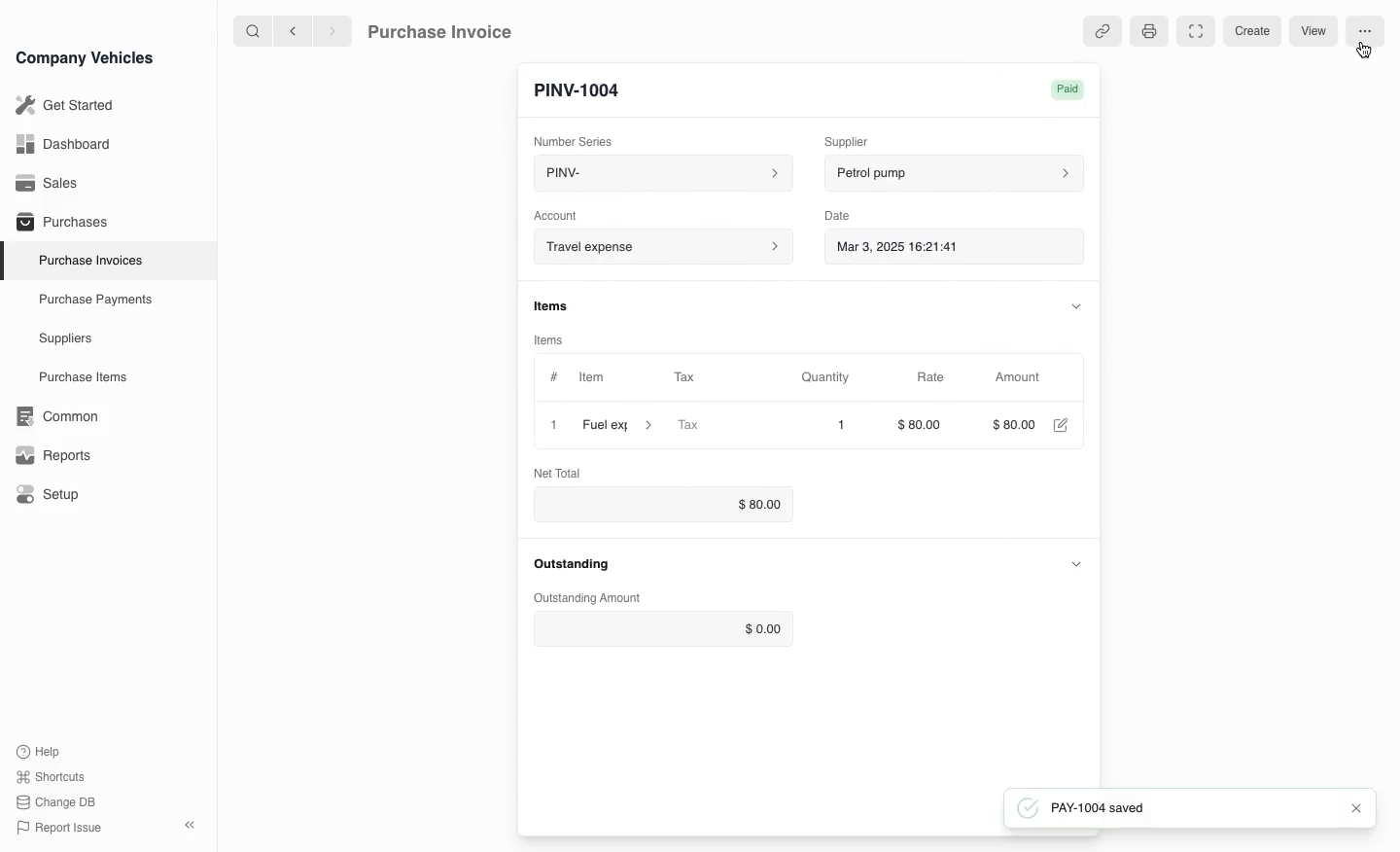 The height and width of the screenshot is (852, 1400). Describe the element at coordinates (53, 455) in the screenshot. I see `Reports` at that location.